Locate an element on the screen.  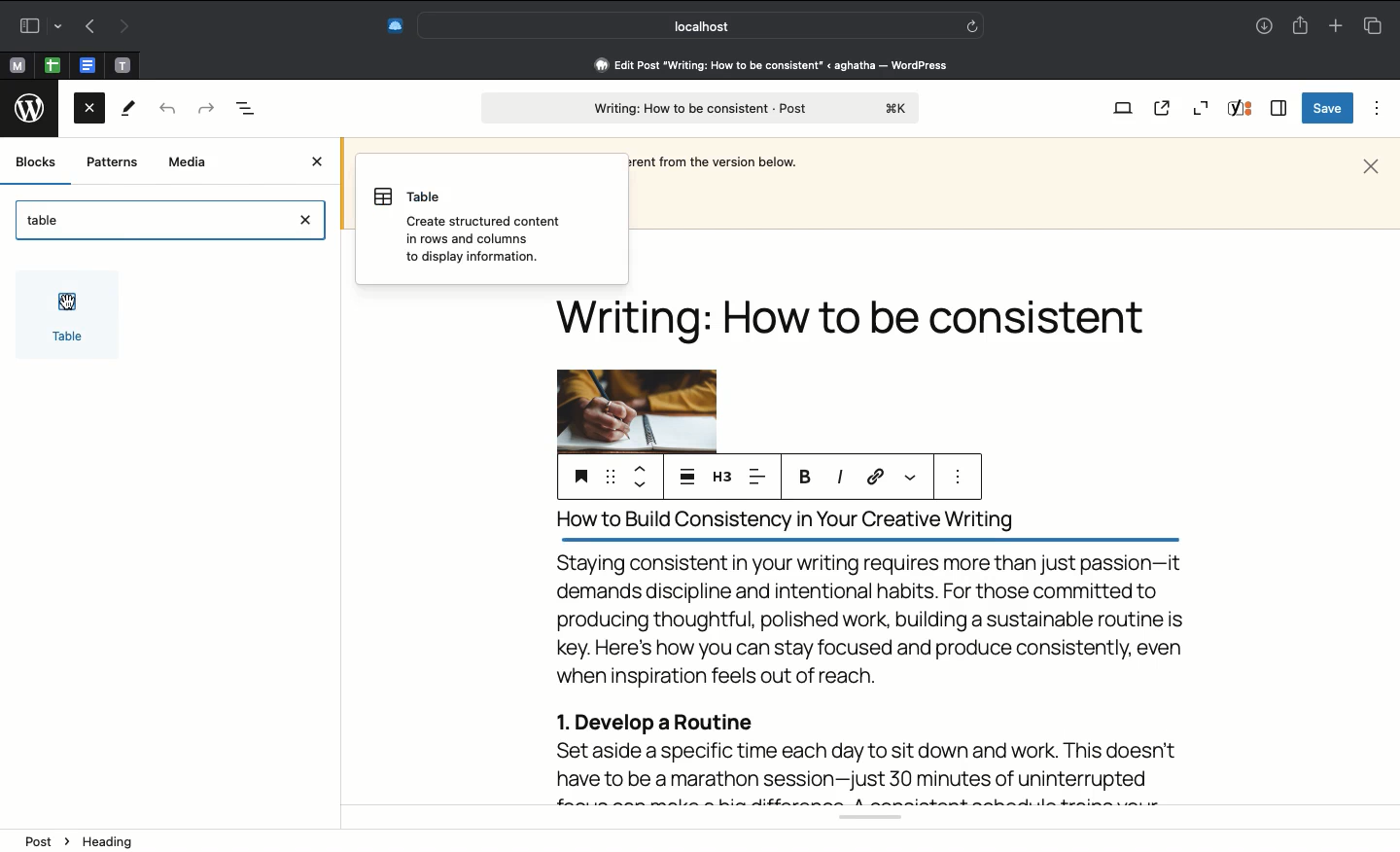
Align is located at coordinates (761, 476).